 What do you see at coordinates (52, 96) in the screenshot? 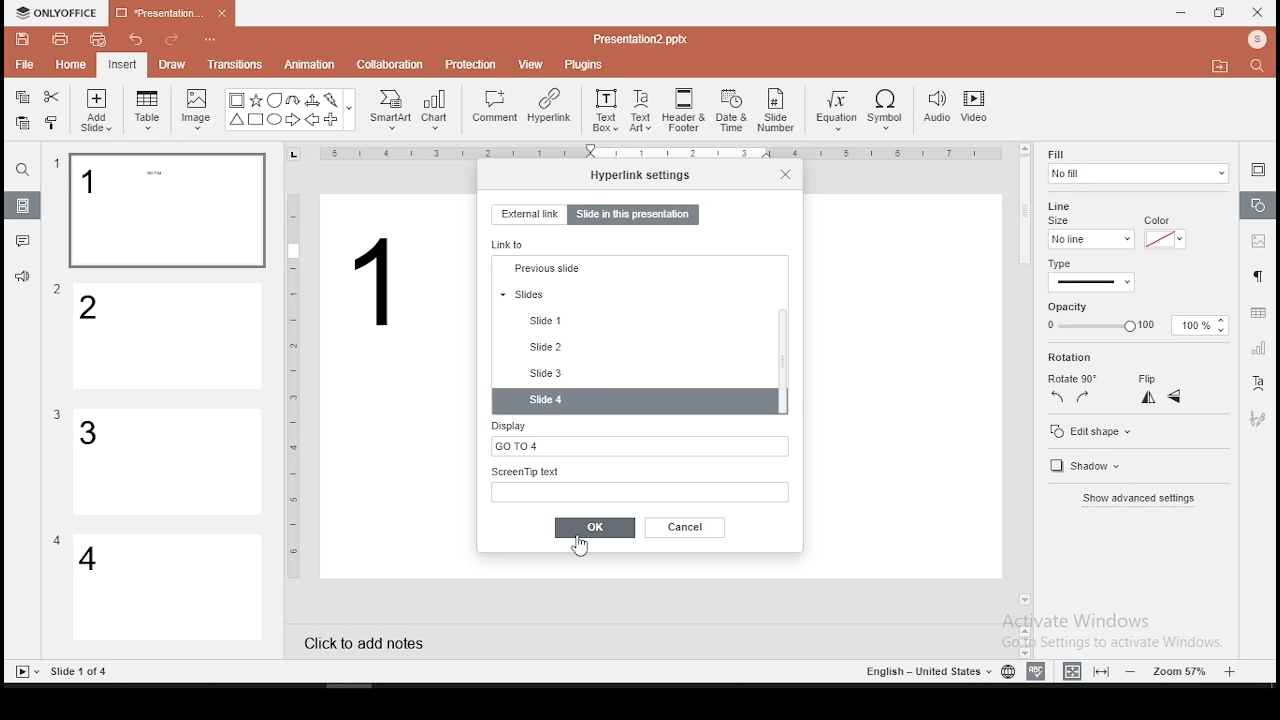
I see `cut` at bounding box center [52, 96].